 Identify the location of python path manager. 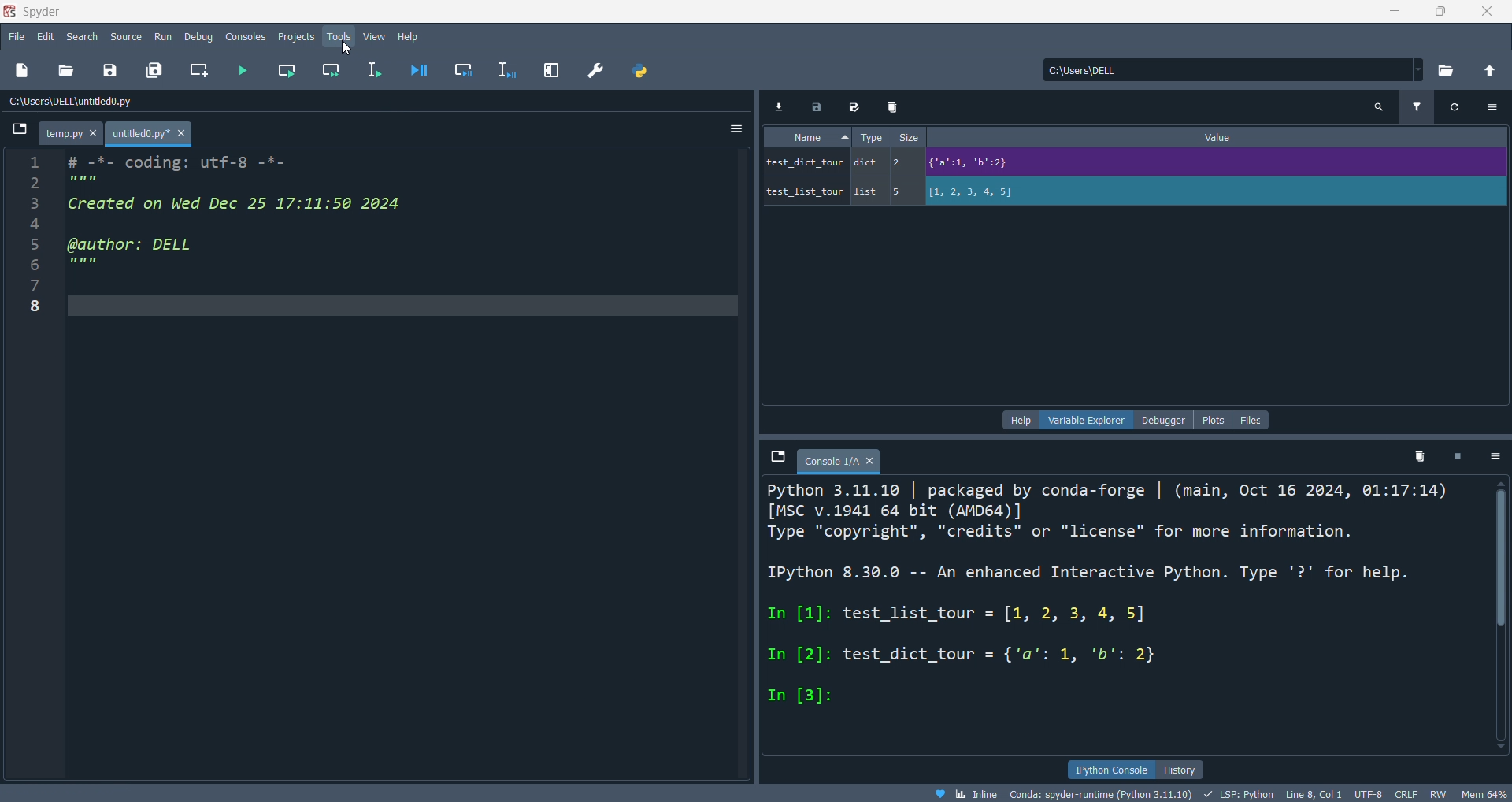
(642, 72).